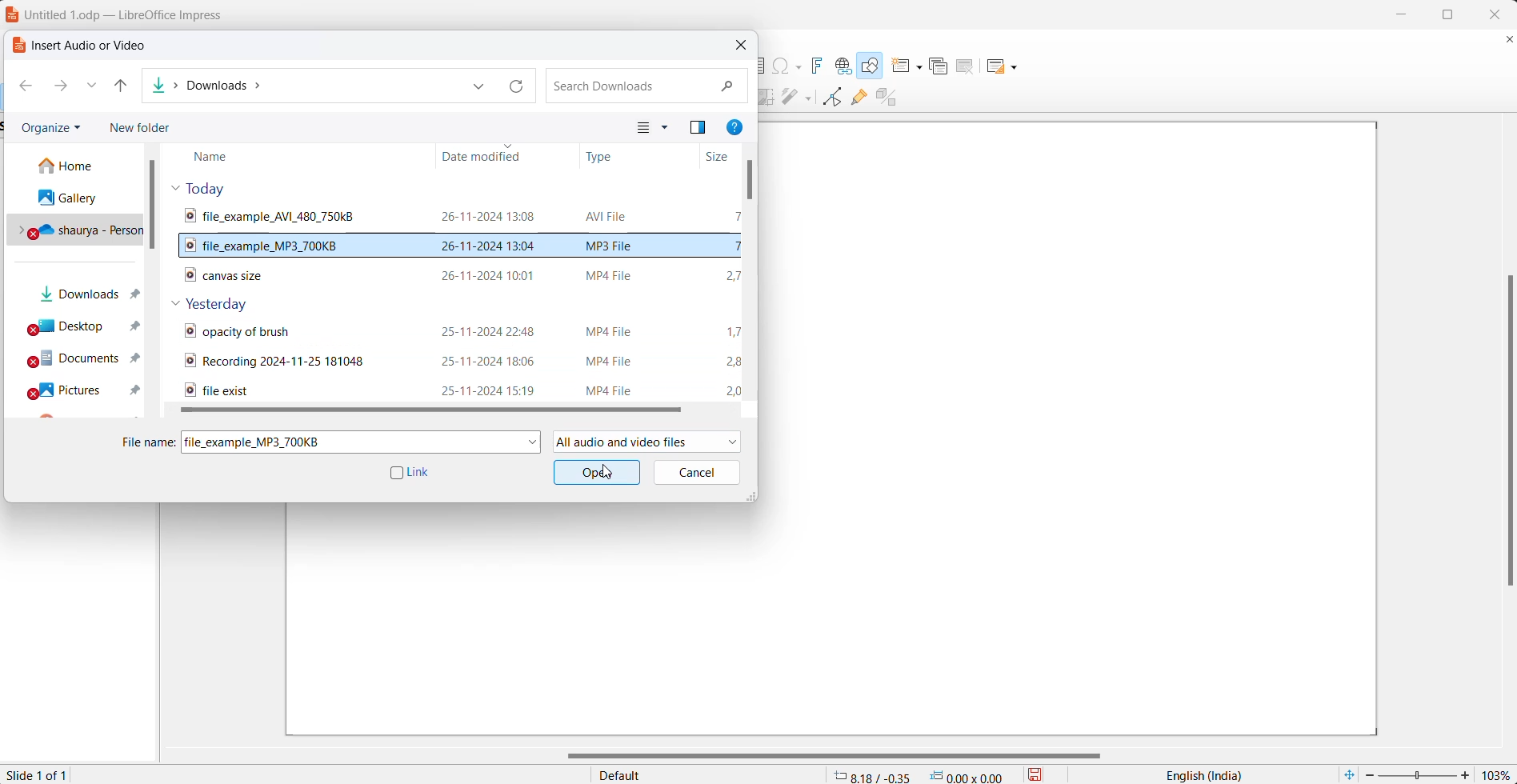  Describe the element at coordinates (969, 66) in the screenshot. I see `delete slide` at that location.